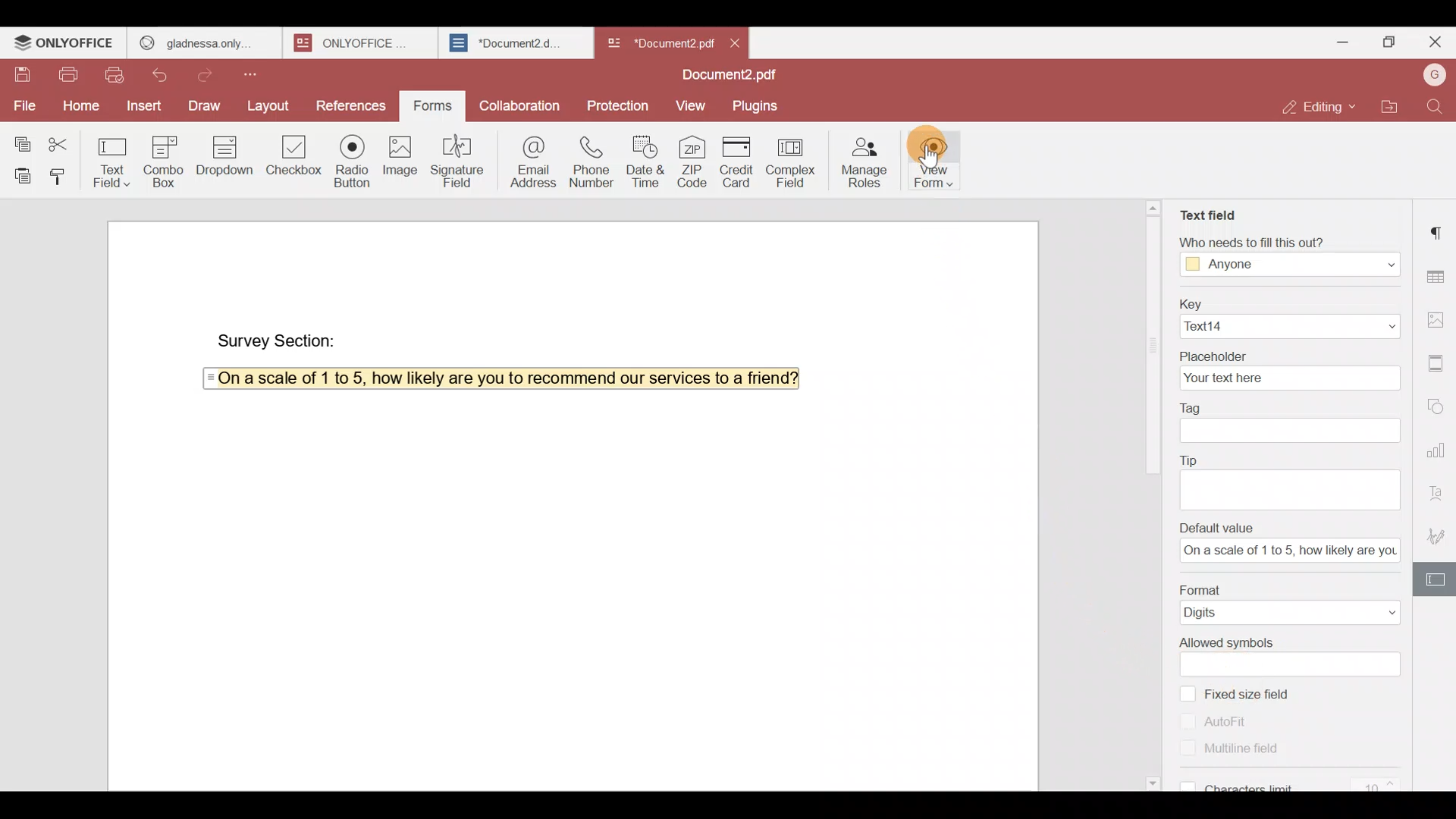  What do you see at coordinates (1439, 367) in the screenshot?
I see `Header & footer settings` at bounding box center [1439, 367].